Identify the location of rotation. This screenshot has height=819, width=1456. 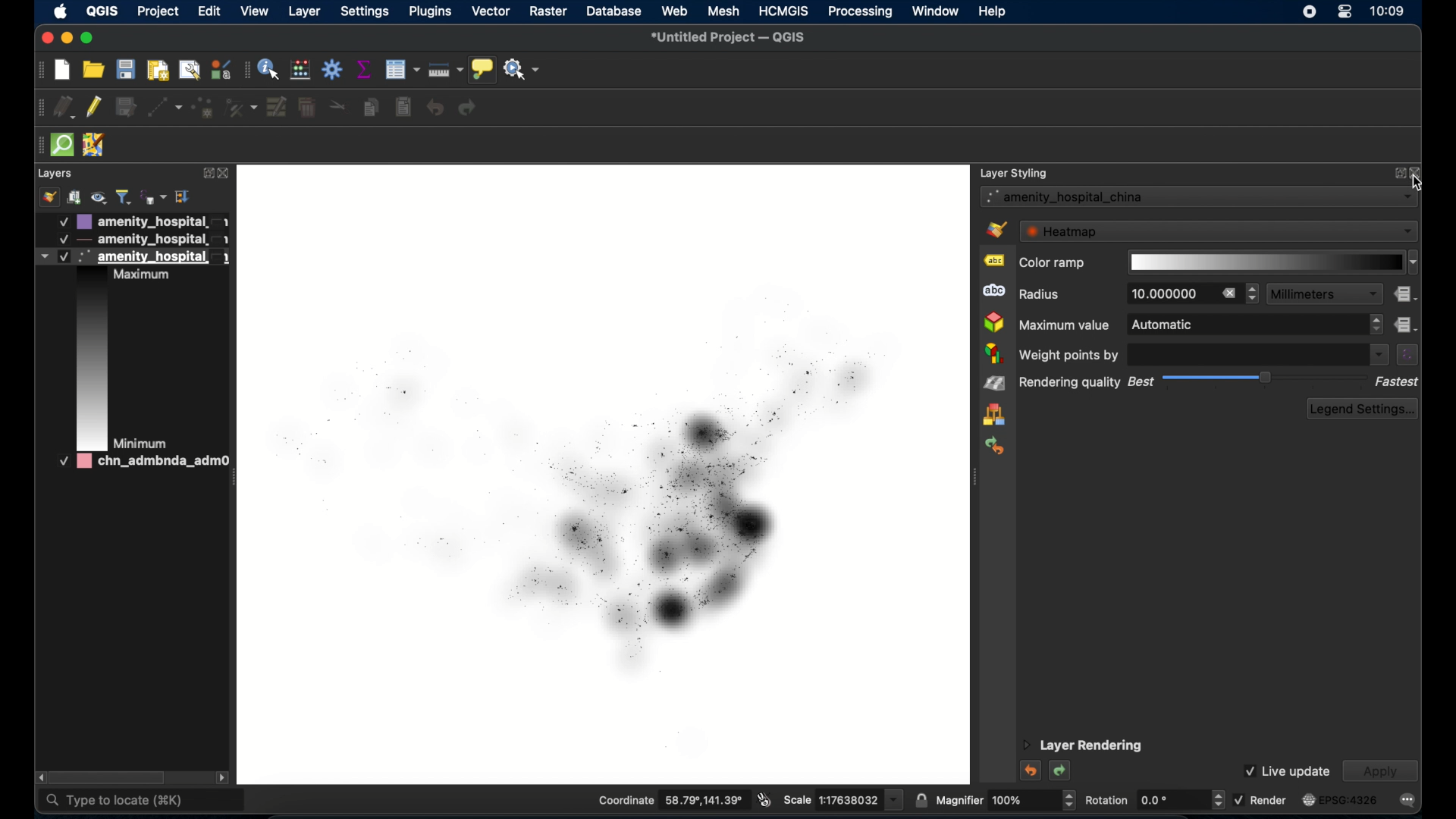
(1153, 799).